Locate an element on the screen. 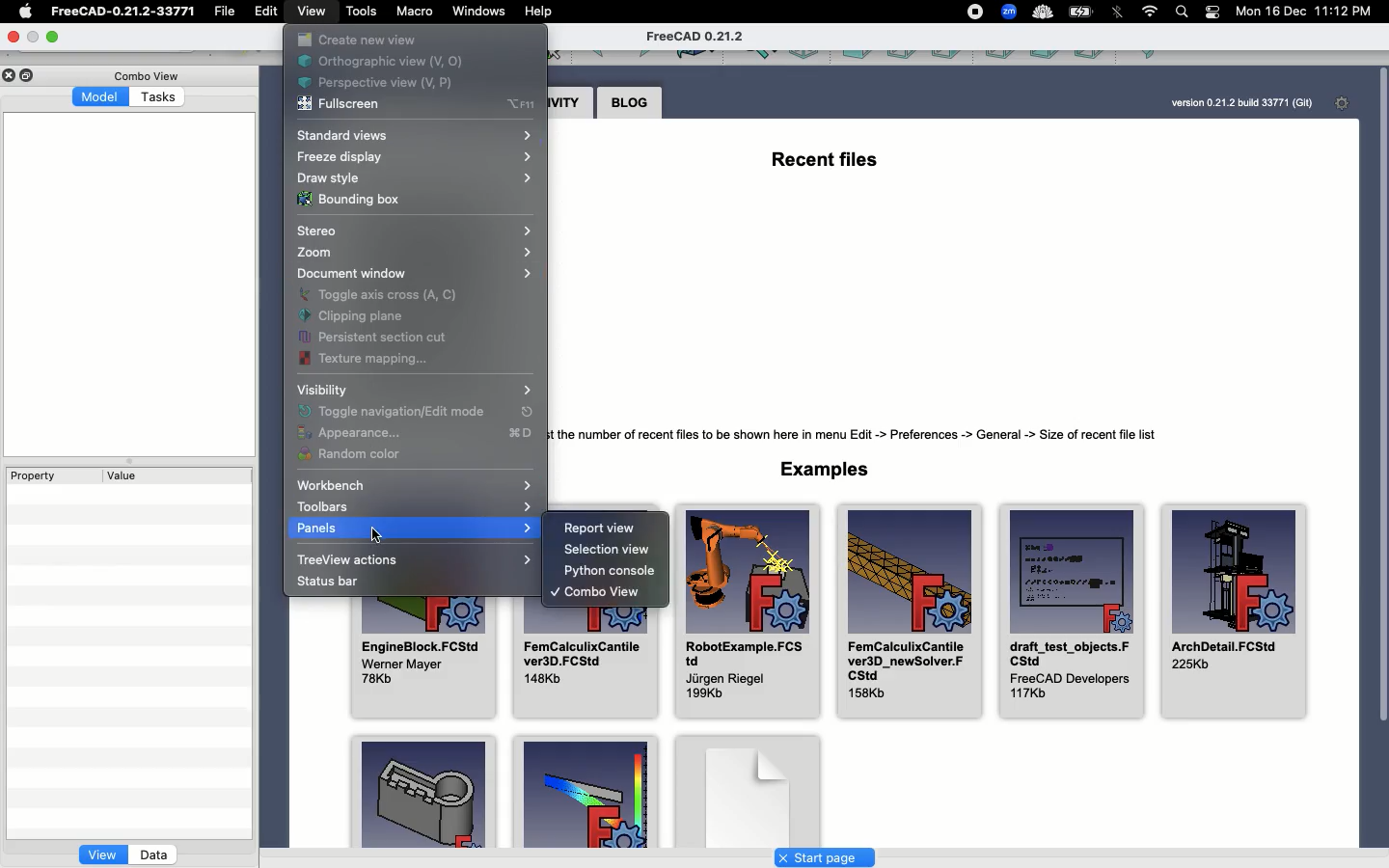  Settings is located at coordinates (1346, 105).